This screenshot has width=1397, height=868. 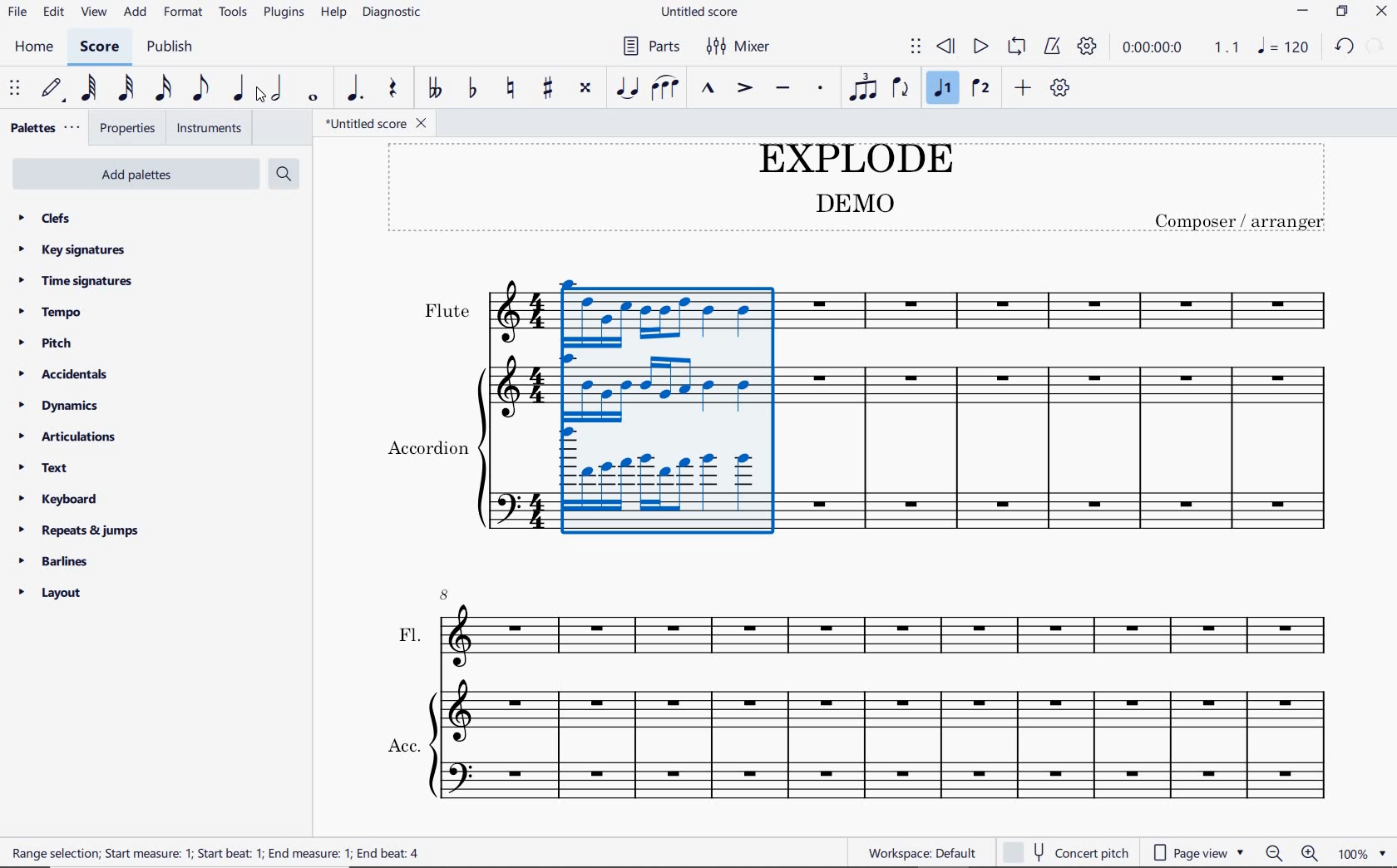 What do you see at coordinates (209, 129) in the screenshot?
I see `instruments` at bounding box center [209, 129].